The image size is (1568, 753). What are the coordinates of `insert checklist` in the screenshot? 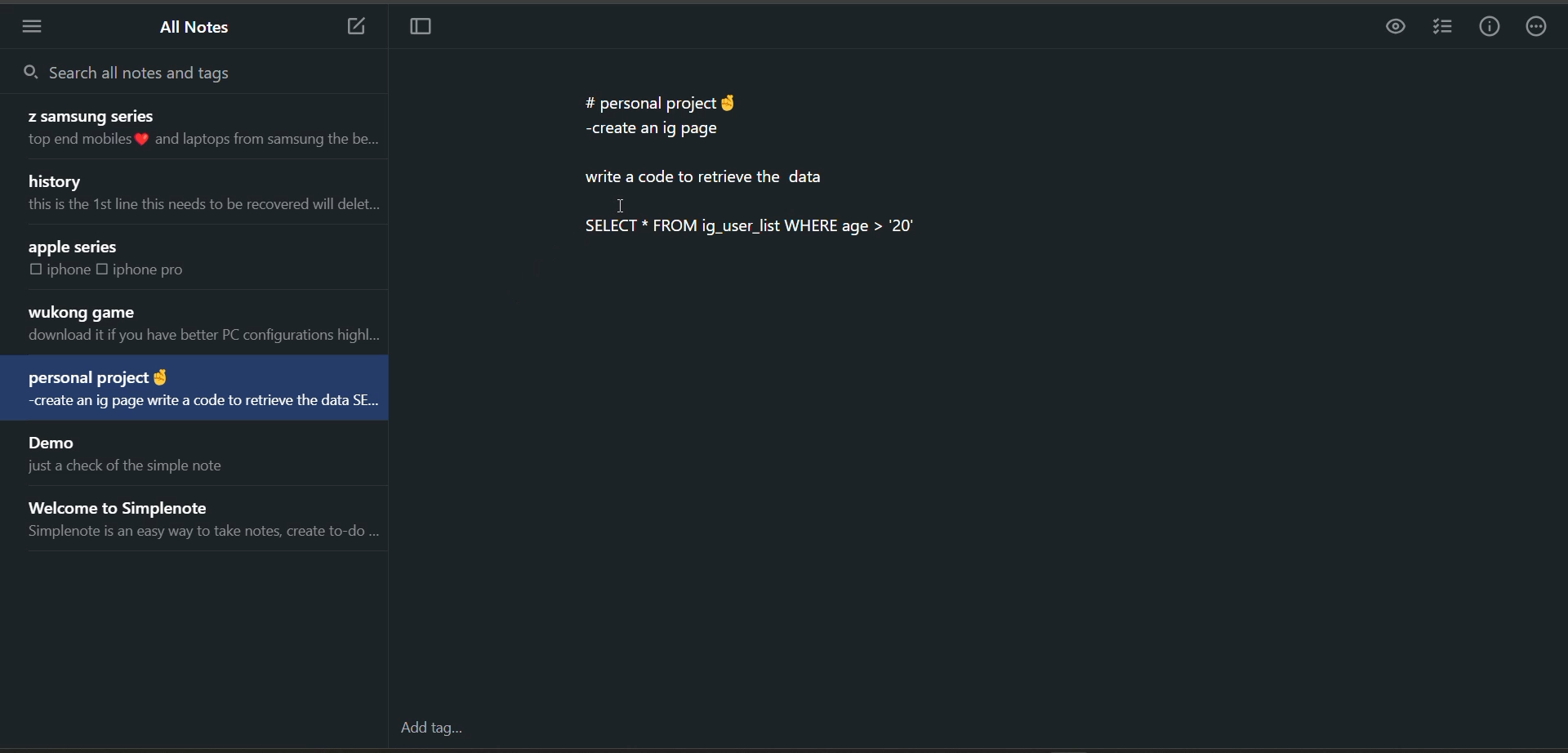 It's located at (1441, 28).